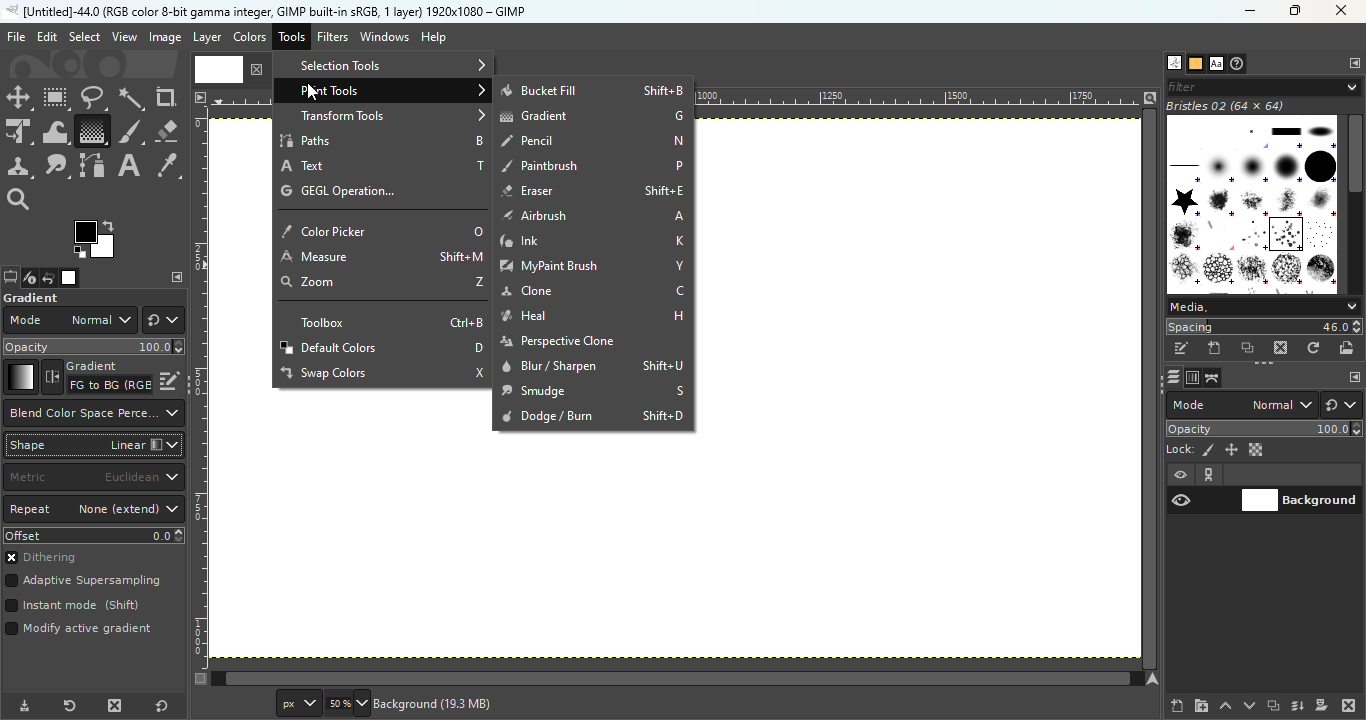 The image size is (1366, 720). Describe the element at coordinates (168, 167) in the screenshot. I see `Color picker tool` at that location.